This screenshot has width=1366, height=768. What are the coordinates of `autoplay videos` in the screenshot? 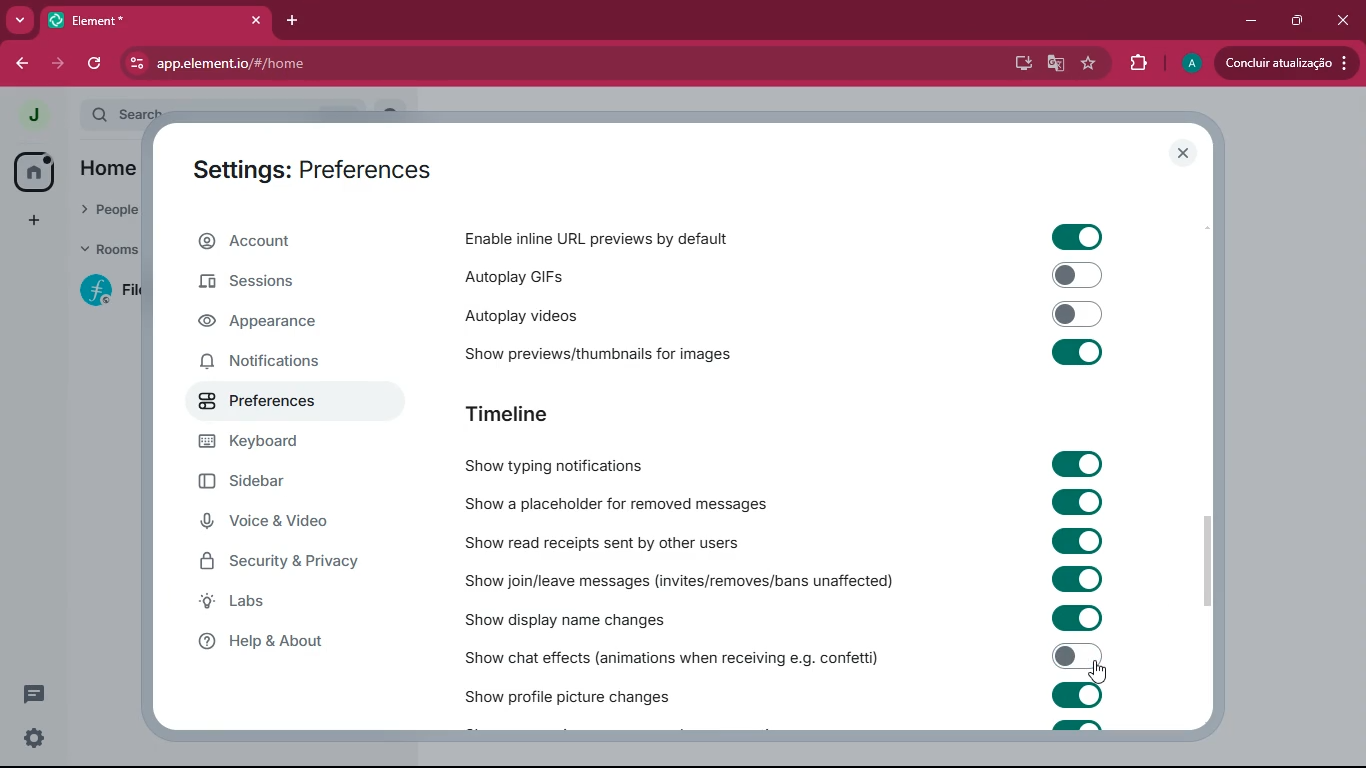 It's located at (565, 313).